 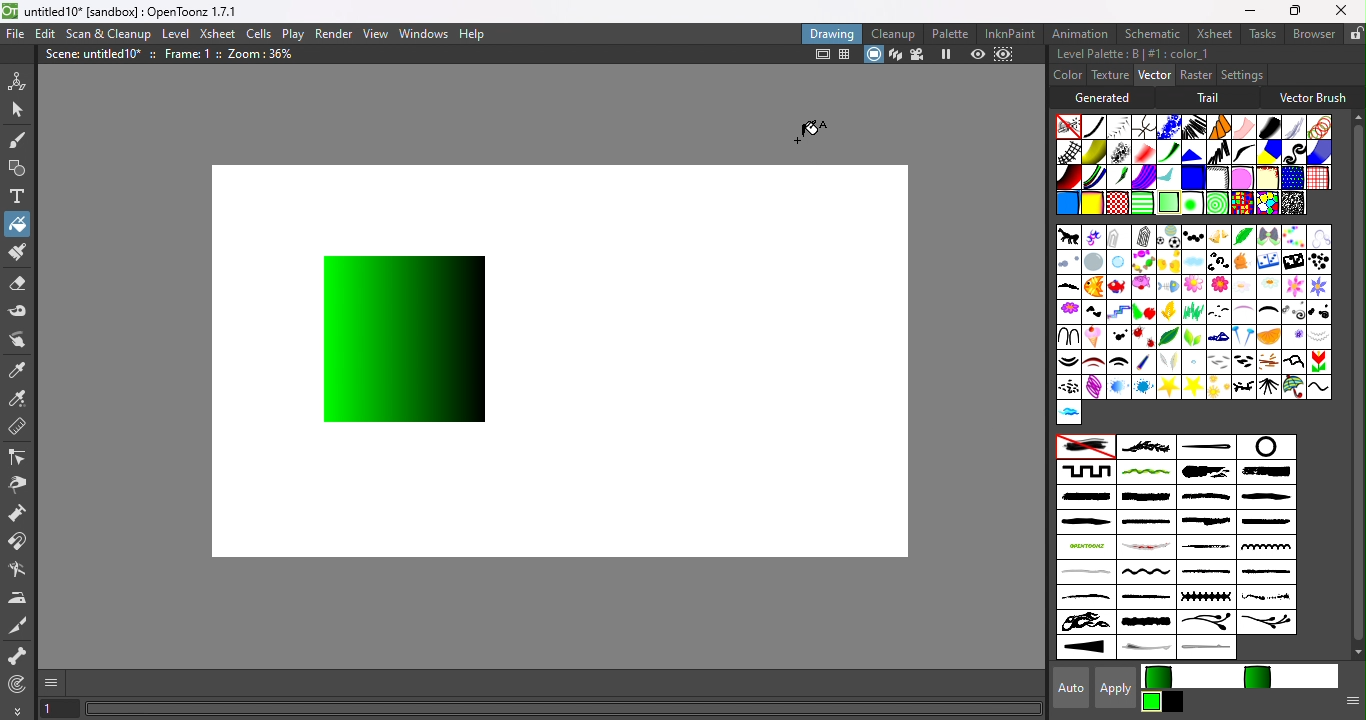 I want to click on pencil, so click(x=1141, y=363).